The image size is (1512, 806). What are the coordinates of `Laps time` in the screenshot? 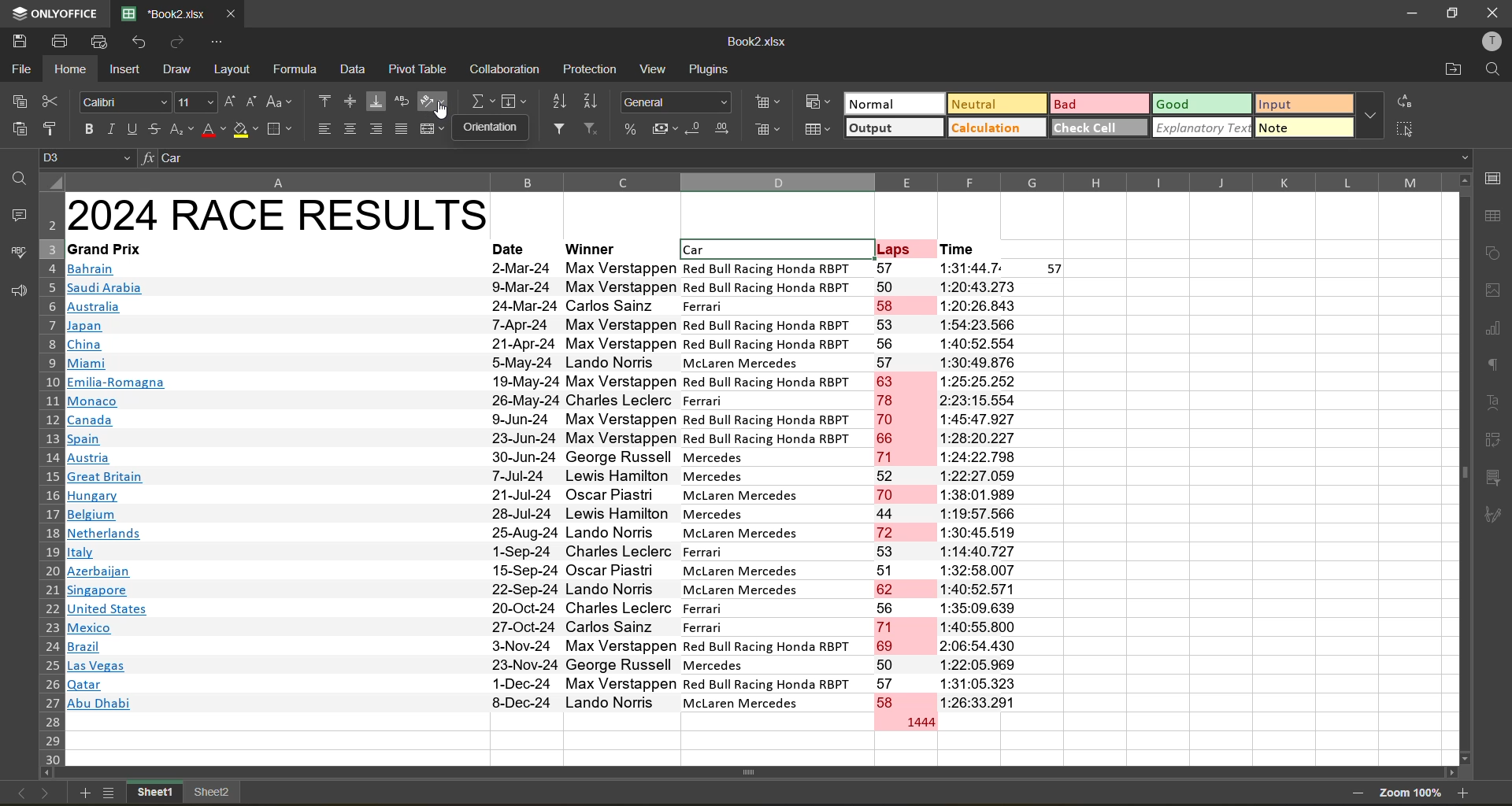 It's located at (1005, 486).